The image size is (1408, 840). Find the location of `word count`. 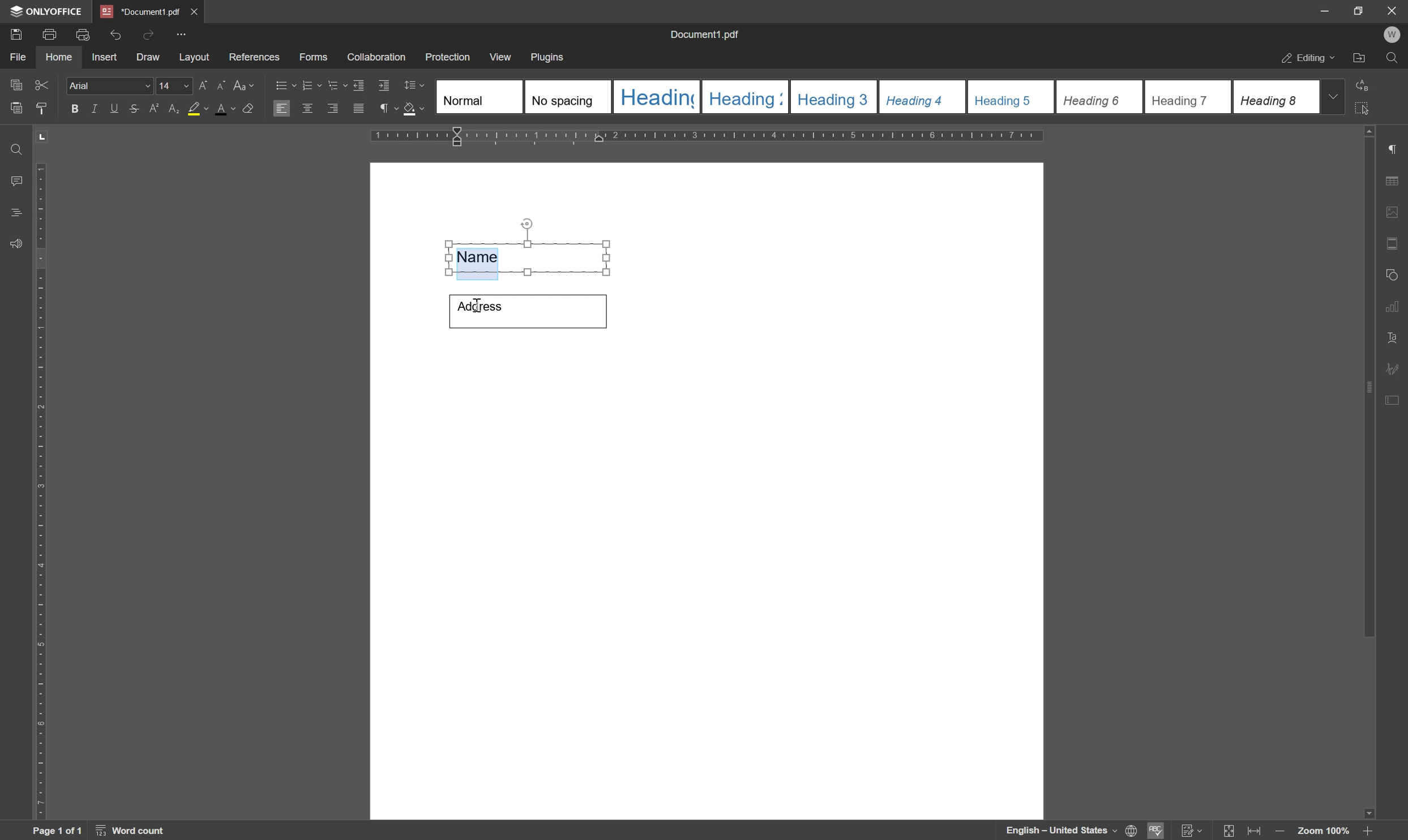

word count is located at coordinates (134, 831).